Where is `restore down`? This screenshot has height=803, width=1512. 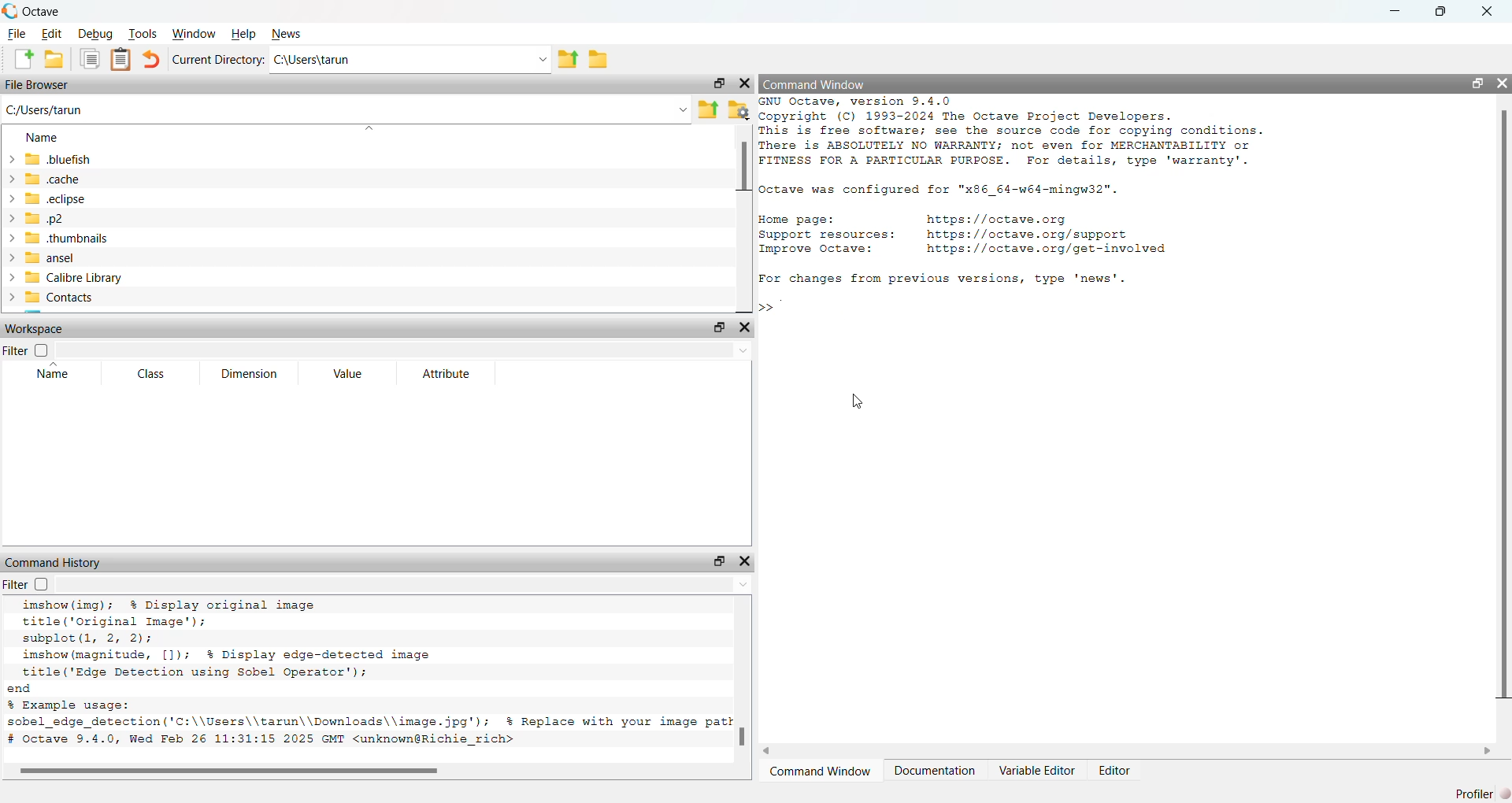
restore down is located at coordinates (717, 82).